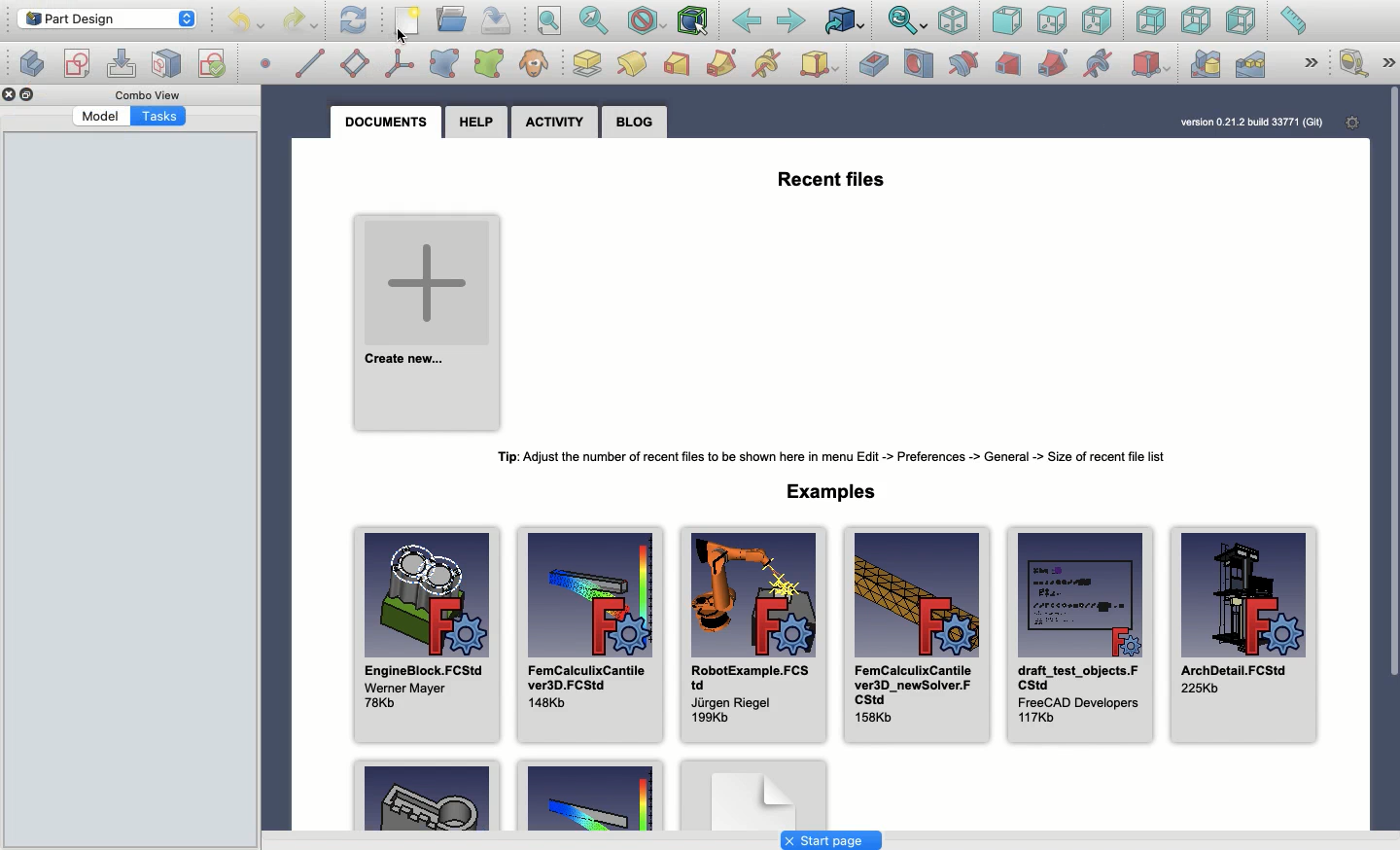 This screenshot has width=1400, height=850. Describe the element at coordinates (1152, 20) in the screenshot. I see `Back` at that location.